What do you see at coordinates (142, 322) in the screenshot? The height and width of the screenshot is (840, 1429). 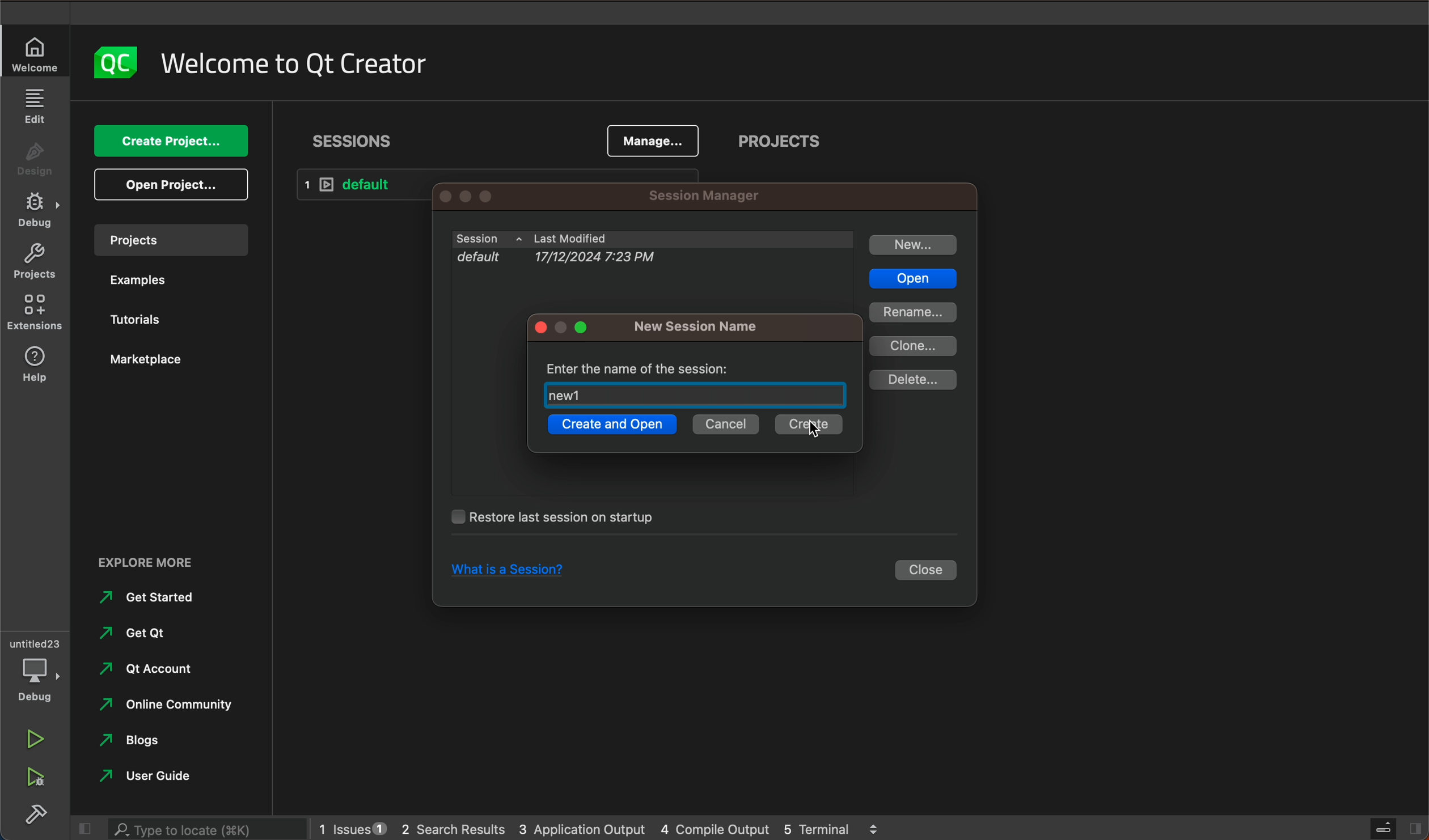 I see `tutorials` at bounding box center [142, 322].